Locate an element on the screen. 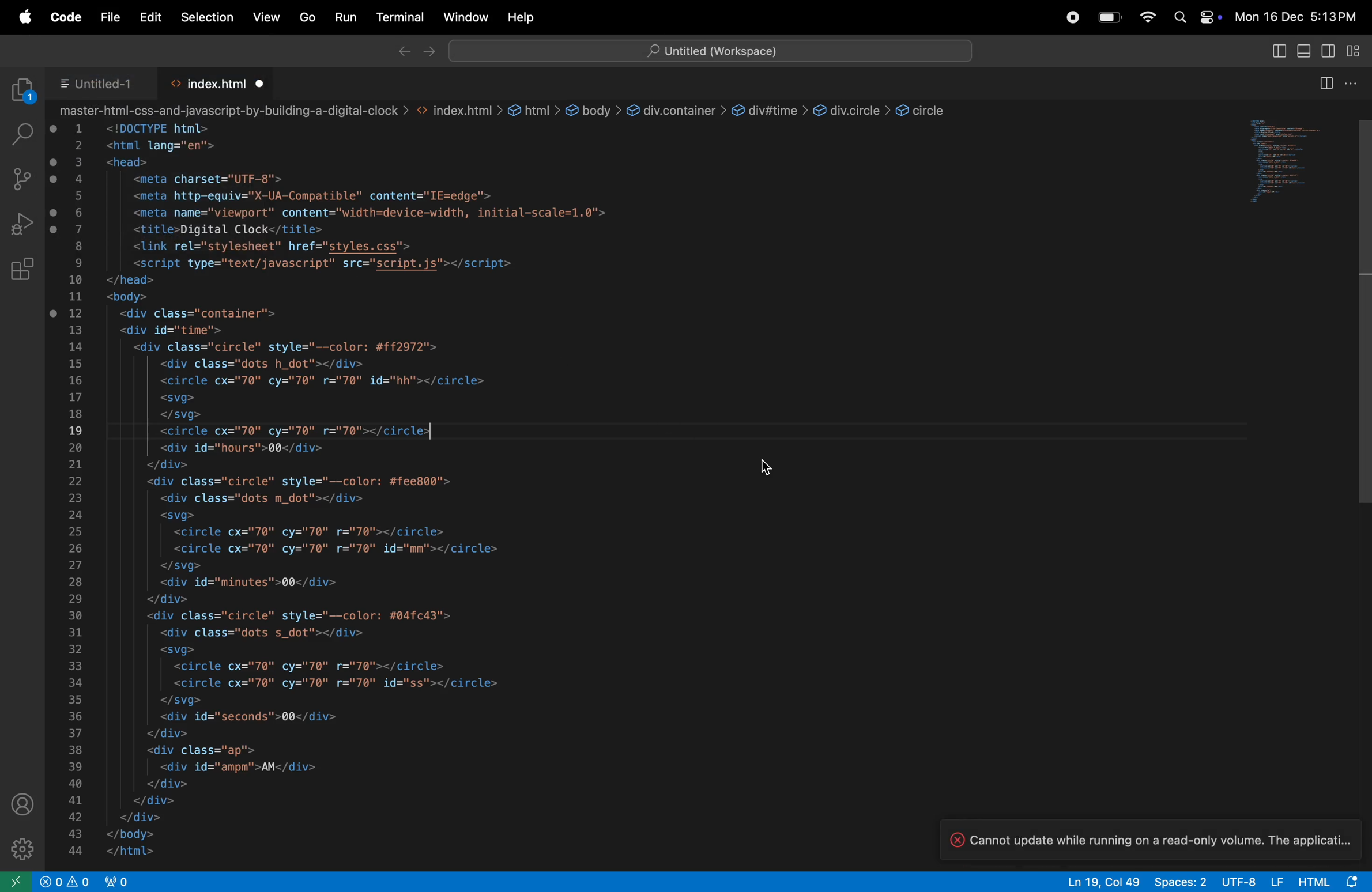  </svg> is located at coordinates (187, 701).